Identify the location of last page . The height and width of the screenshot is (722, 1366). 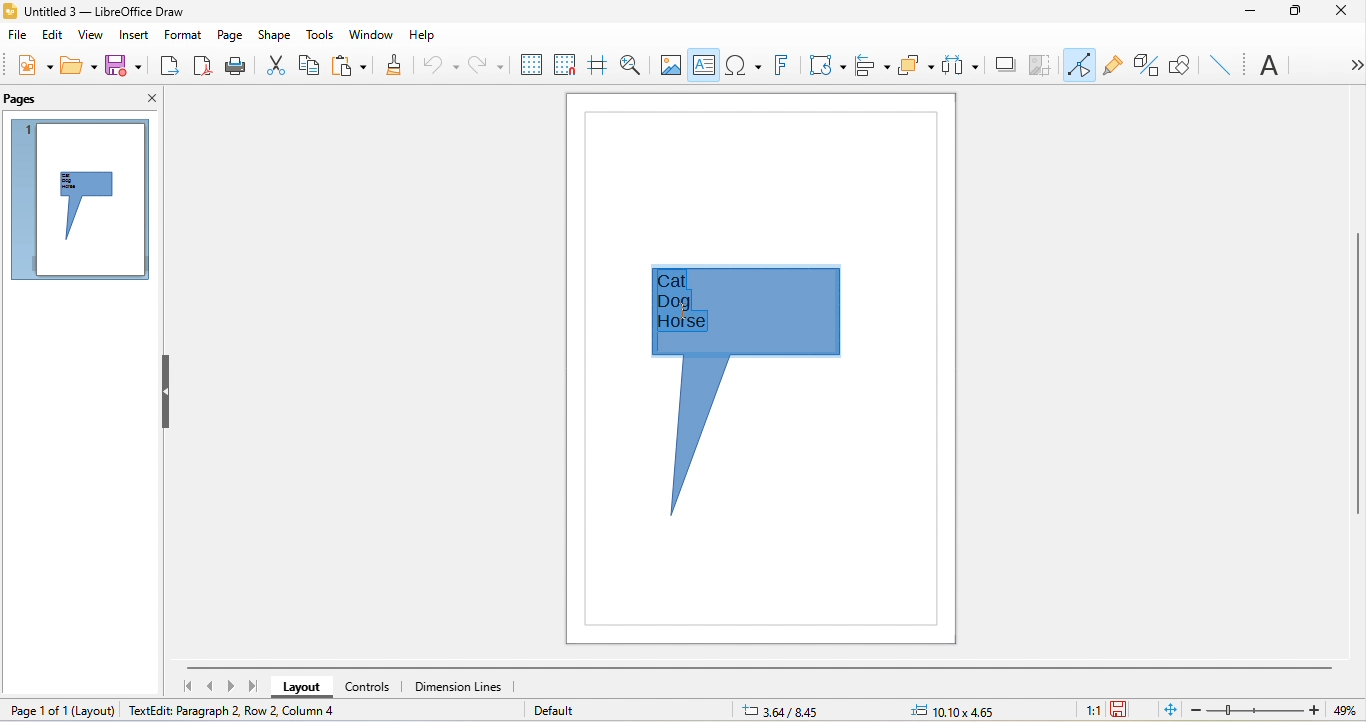
(253, 688).